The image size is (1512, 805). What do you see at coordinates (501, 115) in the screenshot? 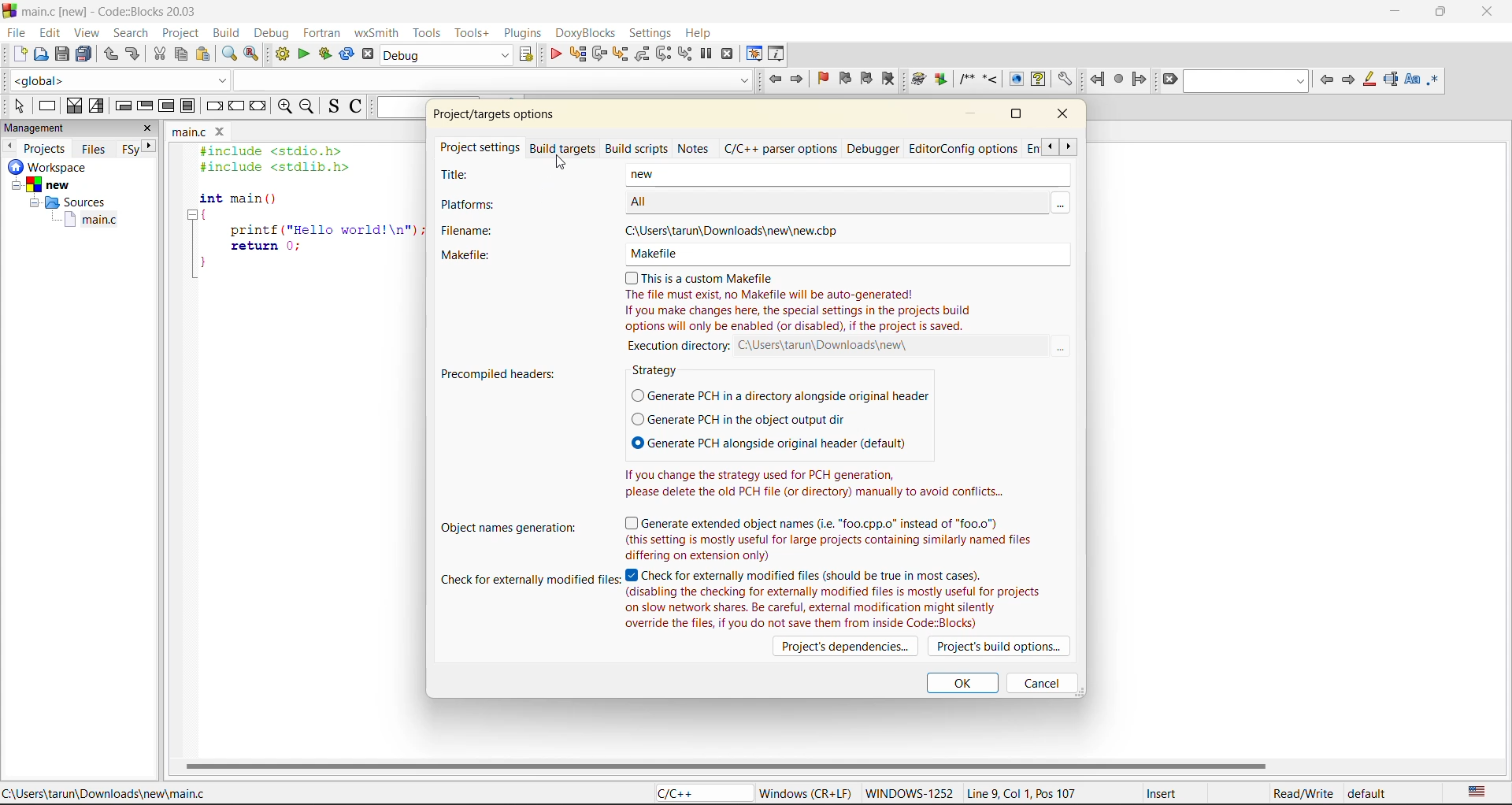
I see `project/target  options` at bounding box center [501, 115].